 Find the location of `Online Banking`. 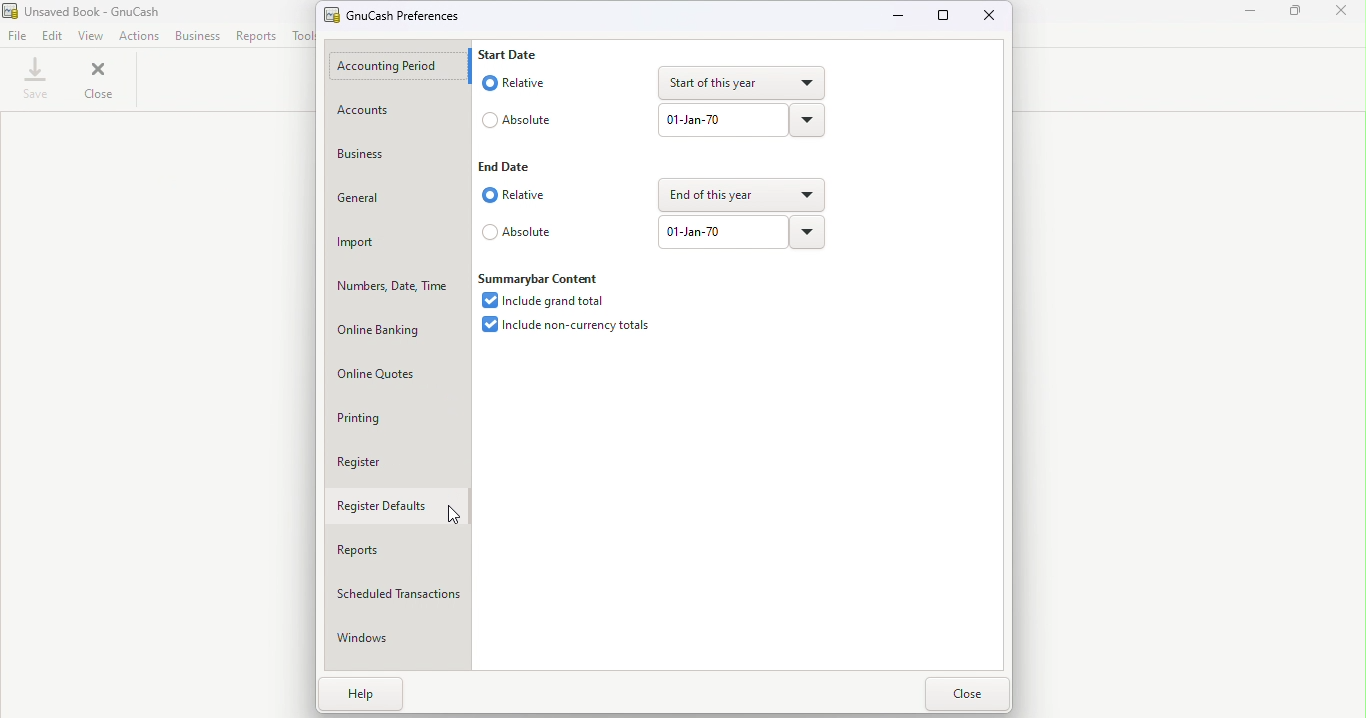

Online Banking is located at coordinates (397, 329).